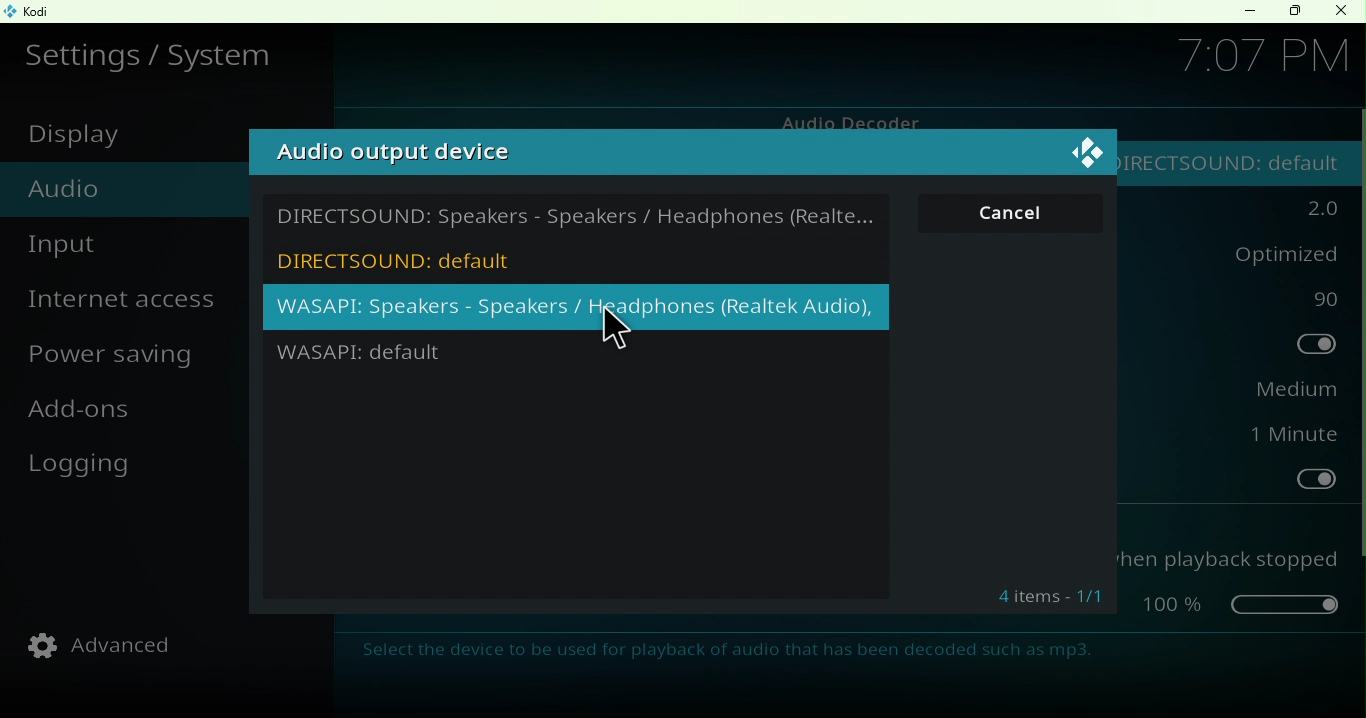  I want to click on Close, so click(1085, 152).